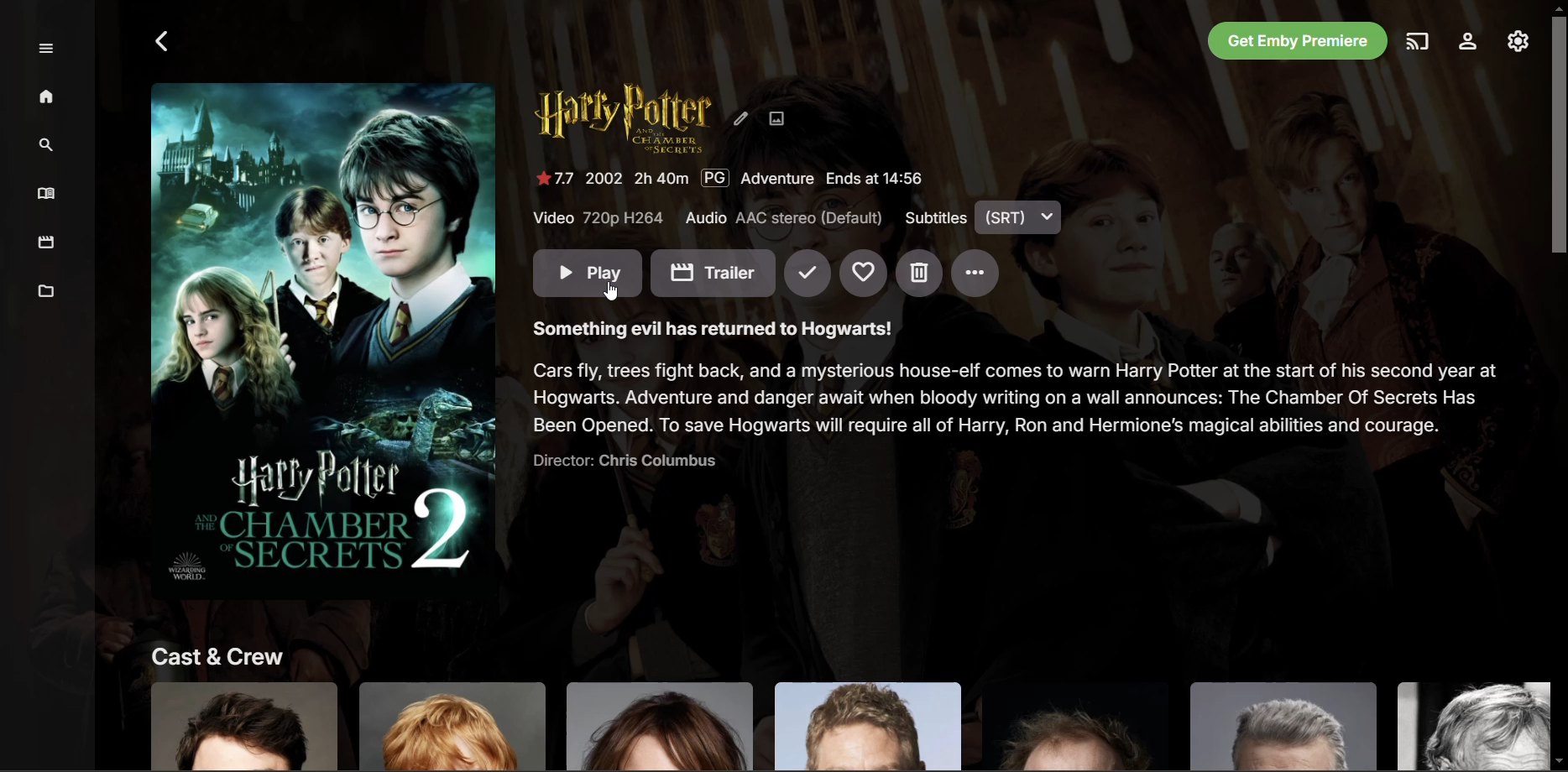  What do you see at coordinates (742, 119) in the screenshot?
I see `Edit Metadata` at bounding box center [742, 119].